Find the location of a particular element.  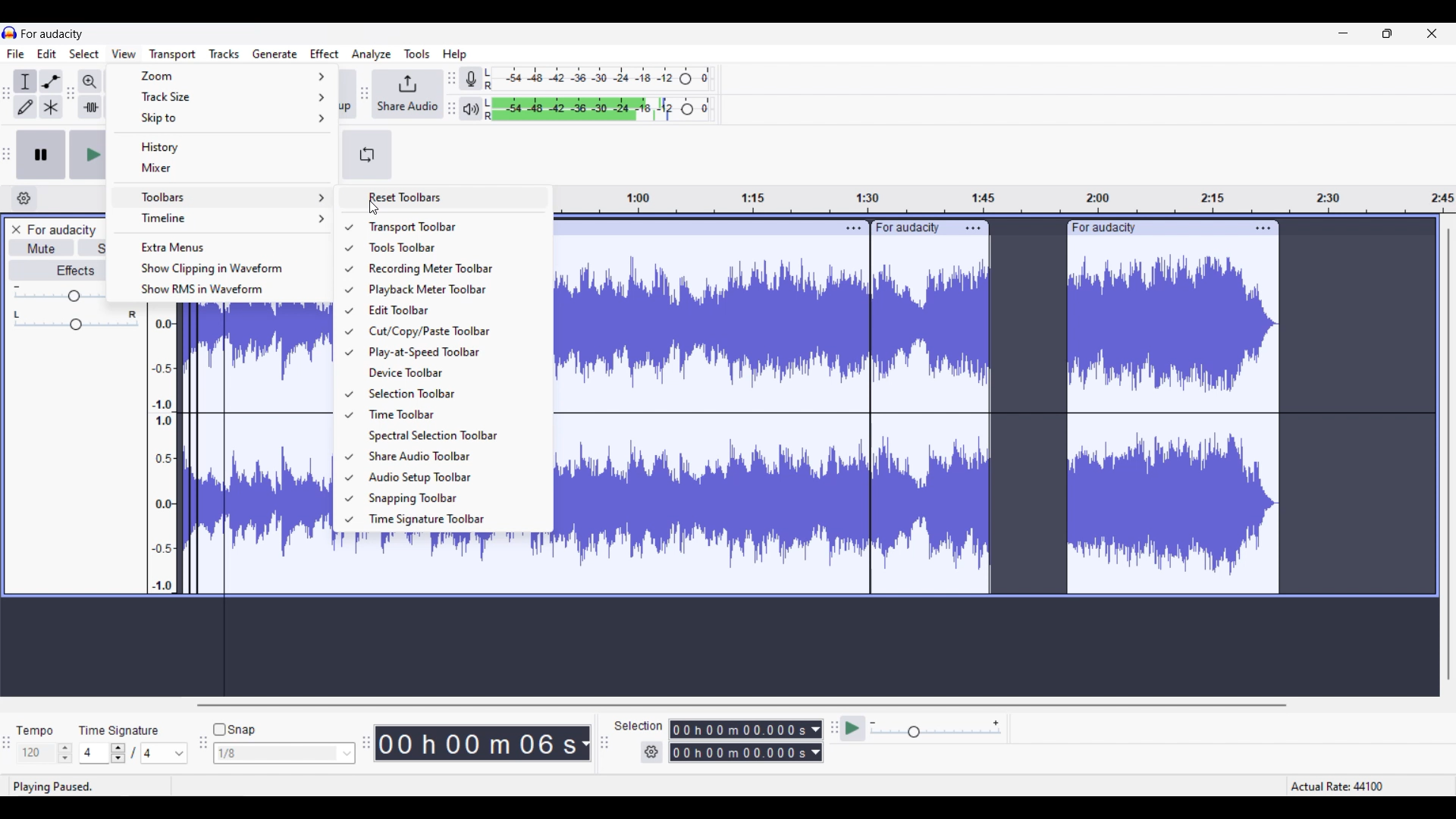

Playback meter is located at coordinates (471, 108).